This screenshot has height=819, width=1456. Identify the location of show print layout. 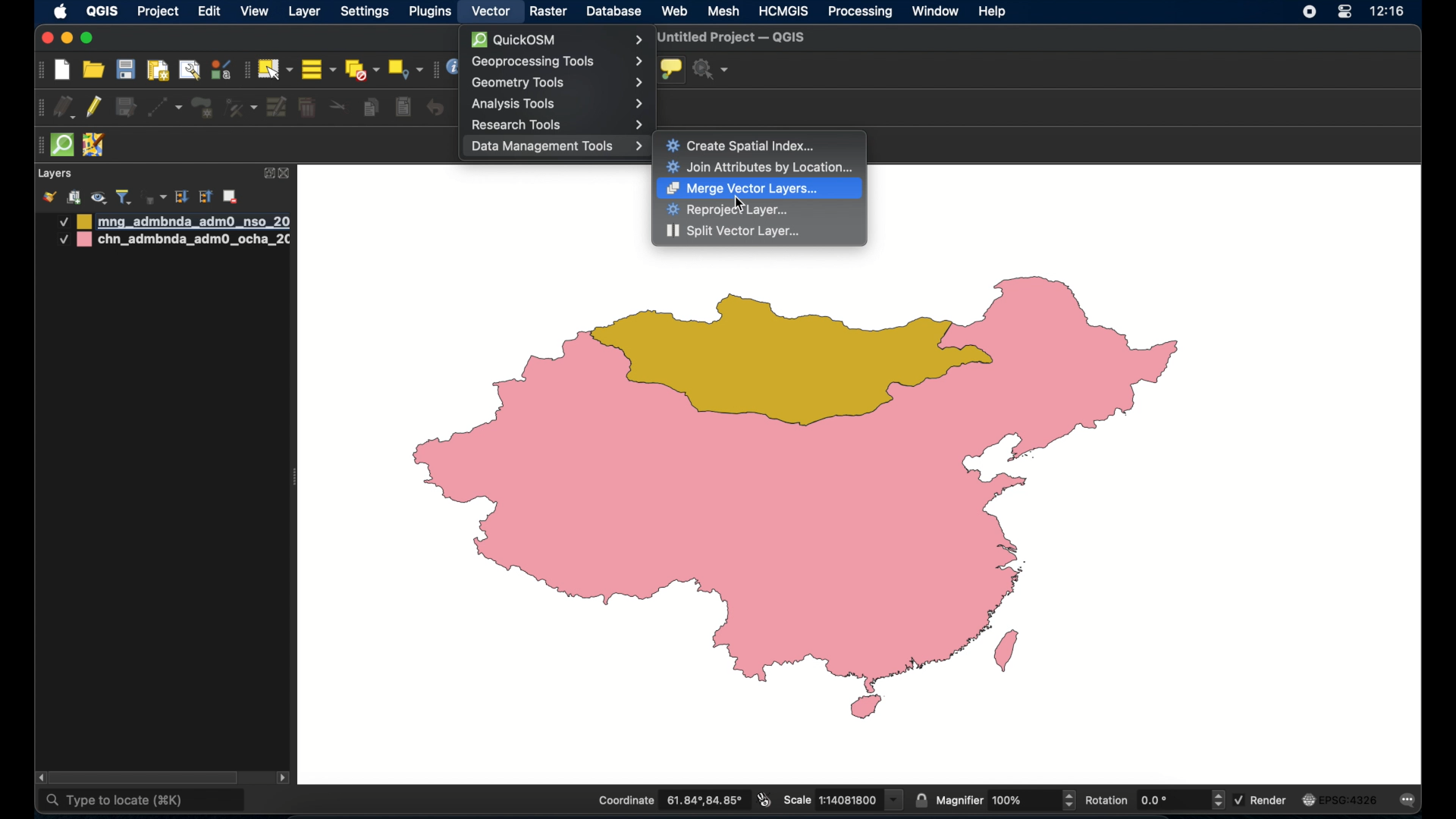
(156, 70).